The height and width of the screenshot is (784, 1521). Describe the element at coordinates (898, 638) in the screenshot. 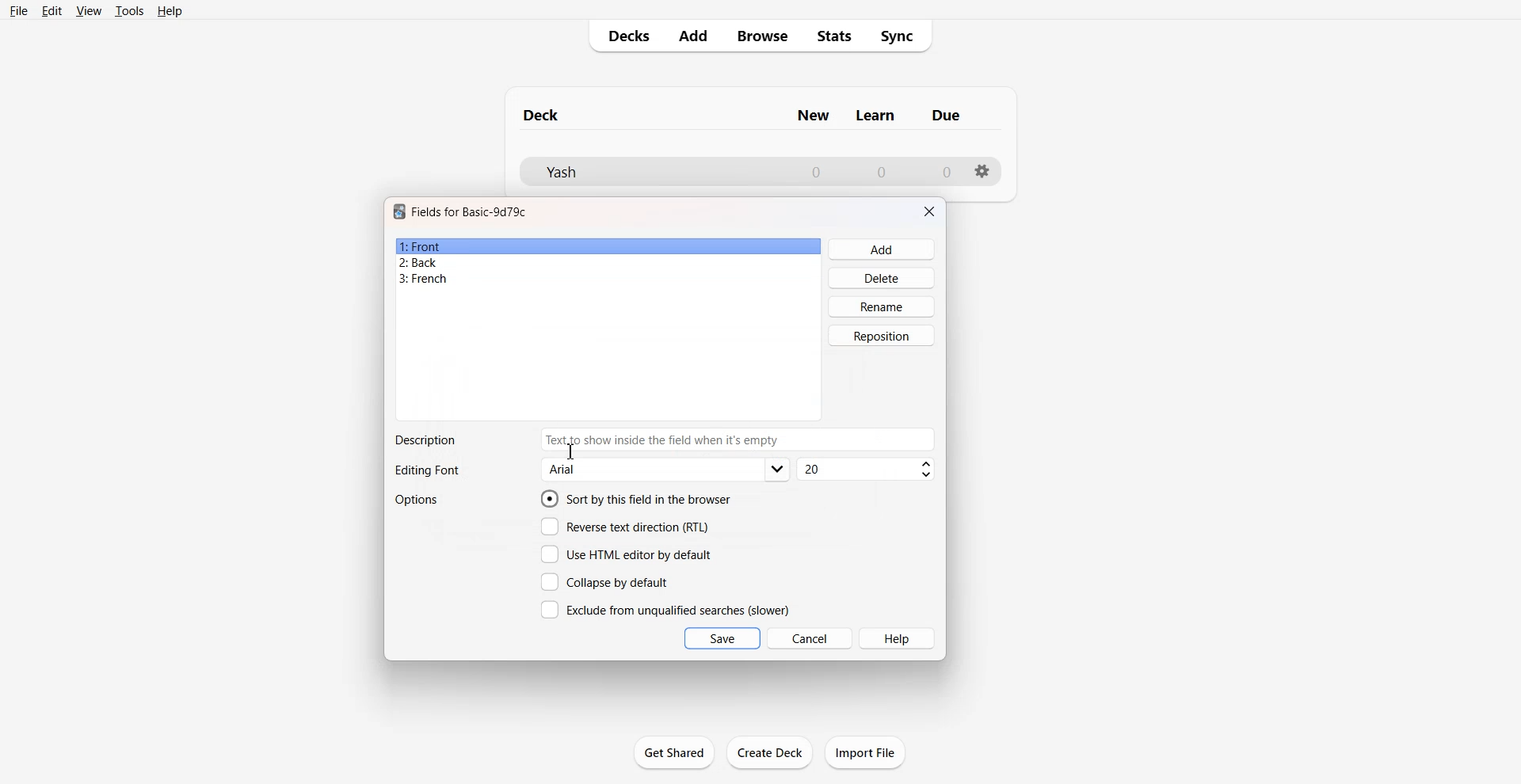

I see `Help` at that location.